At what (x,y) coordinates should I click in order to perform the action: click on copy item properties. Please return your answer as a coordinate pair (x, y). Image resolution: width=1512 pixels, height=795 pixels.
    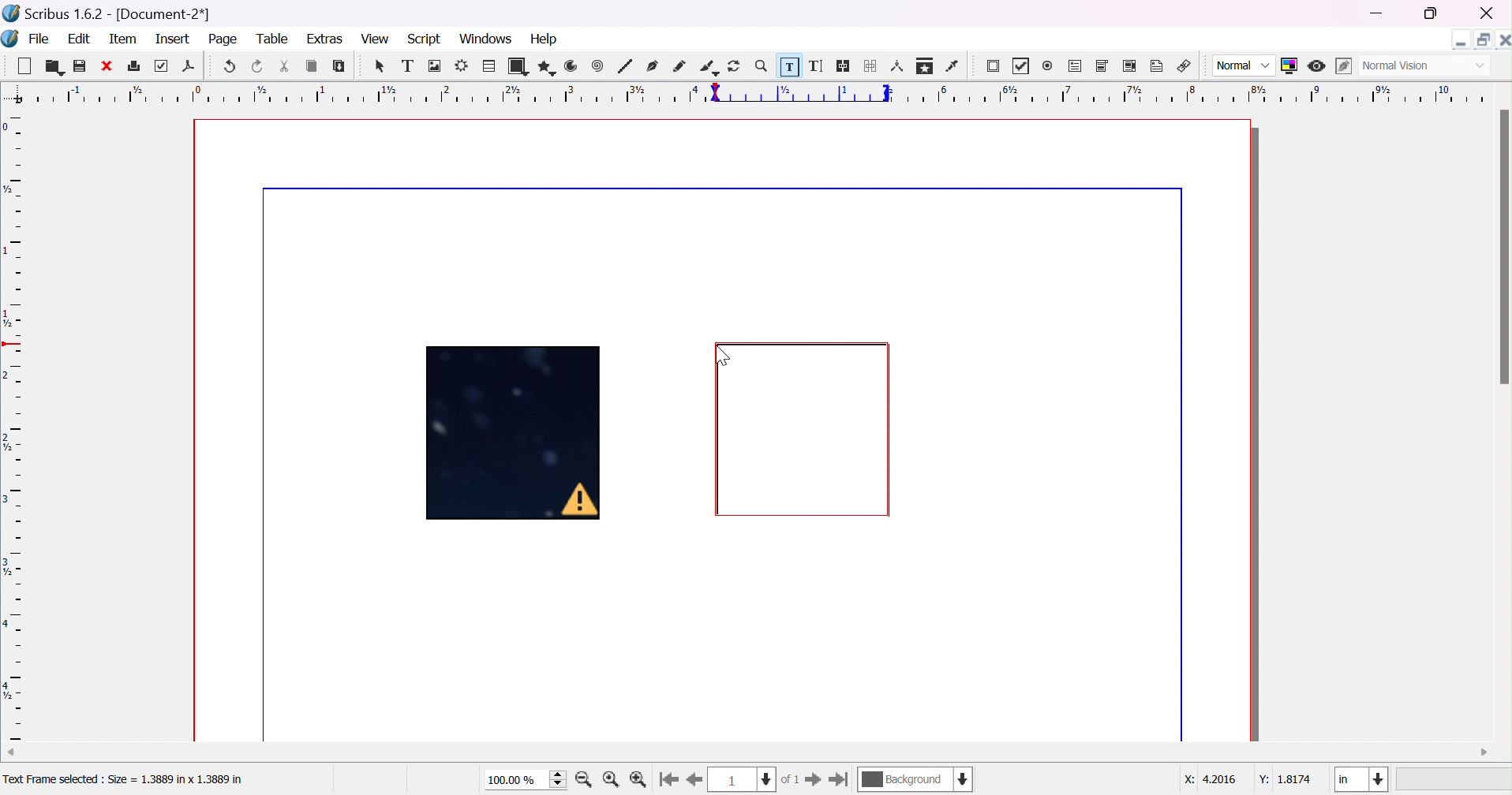
    Looking at the image, I should click on (924, 65).